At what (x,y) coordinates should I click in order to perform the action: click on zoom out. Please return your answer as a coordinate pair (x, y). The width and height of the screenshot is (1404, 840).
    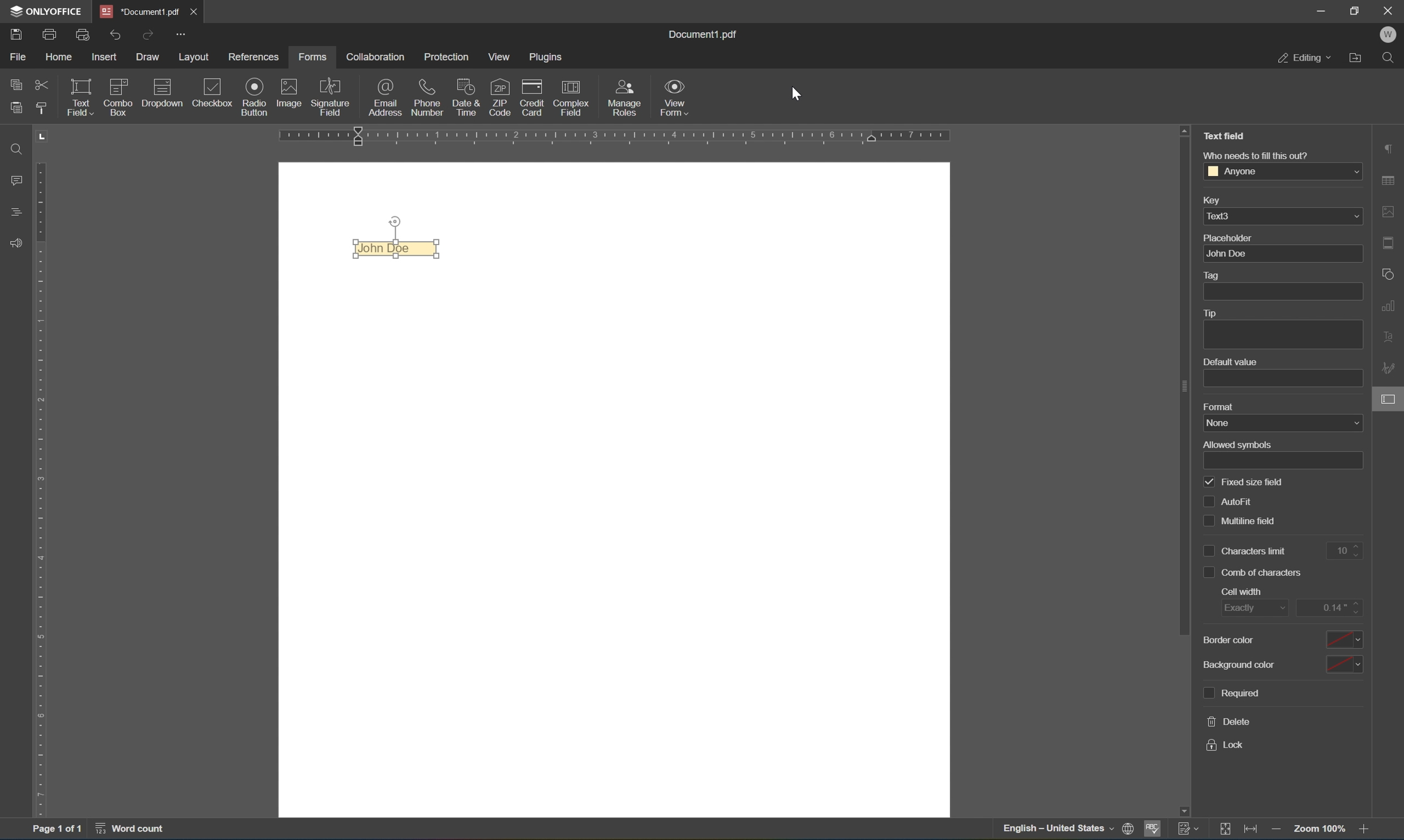
    Looking at the image, I should click on (1277, 832).